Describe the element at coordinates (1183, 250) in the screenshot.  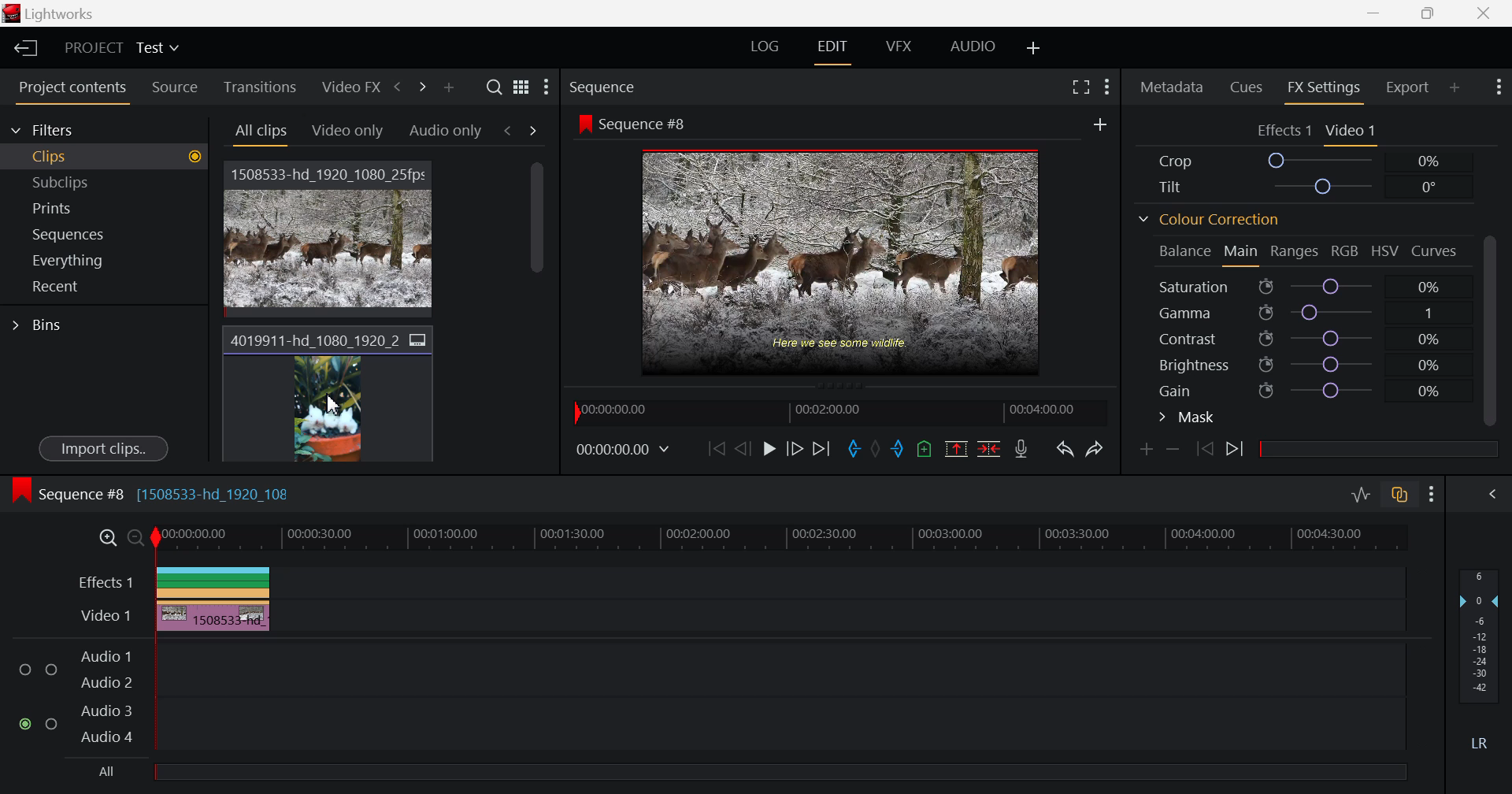
I see `Balance` at that location.